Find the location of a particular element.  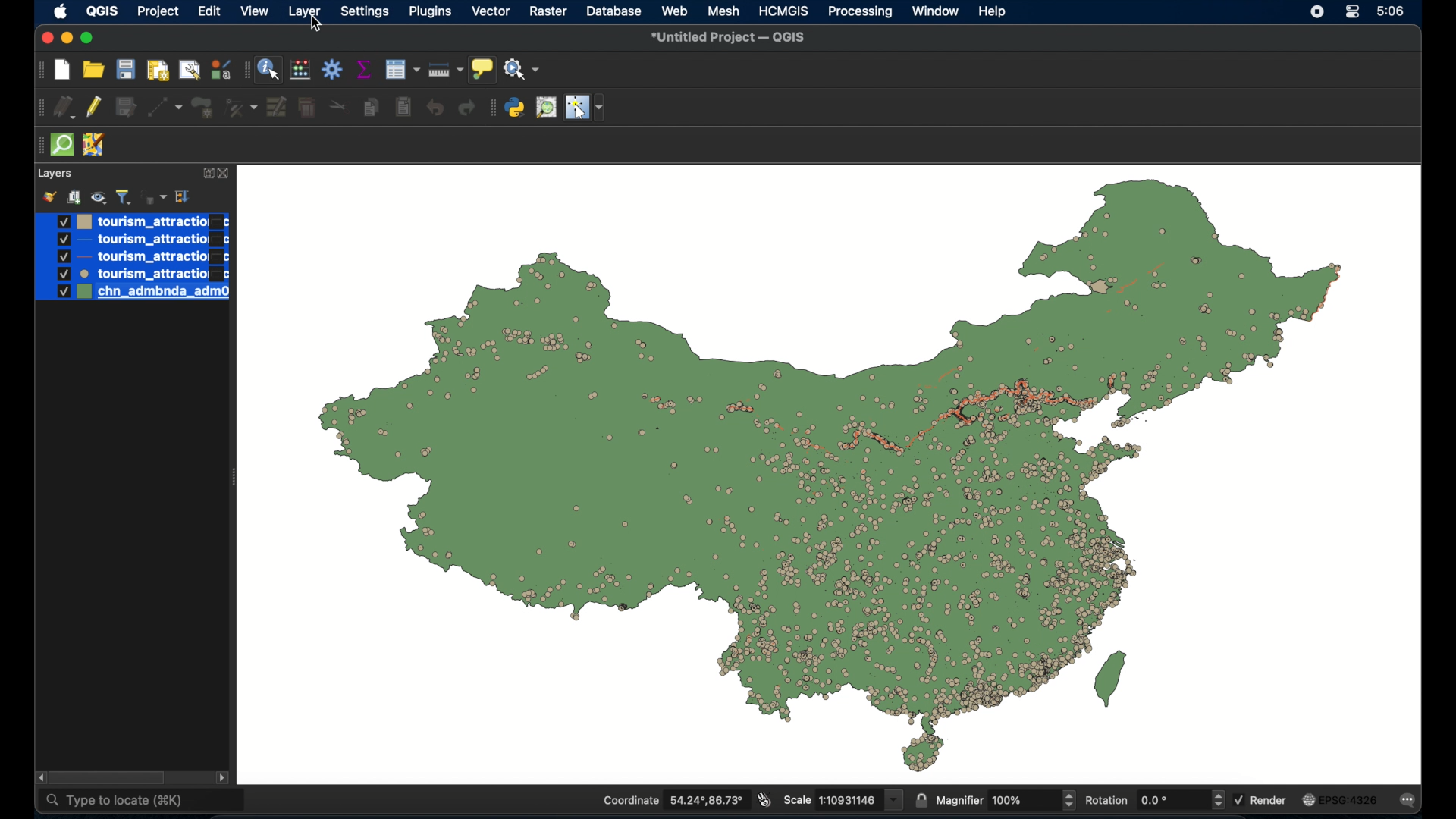

HCMGIS is located at coordinates (785, 11).